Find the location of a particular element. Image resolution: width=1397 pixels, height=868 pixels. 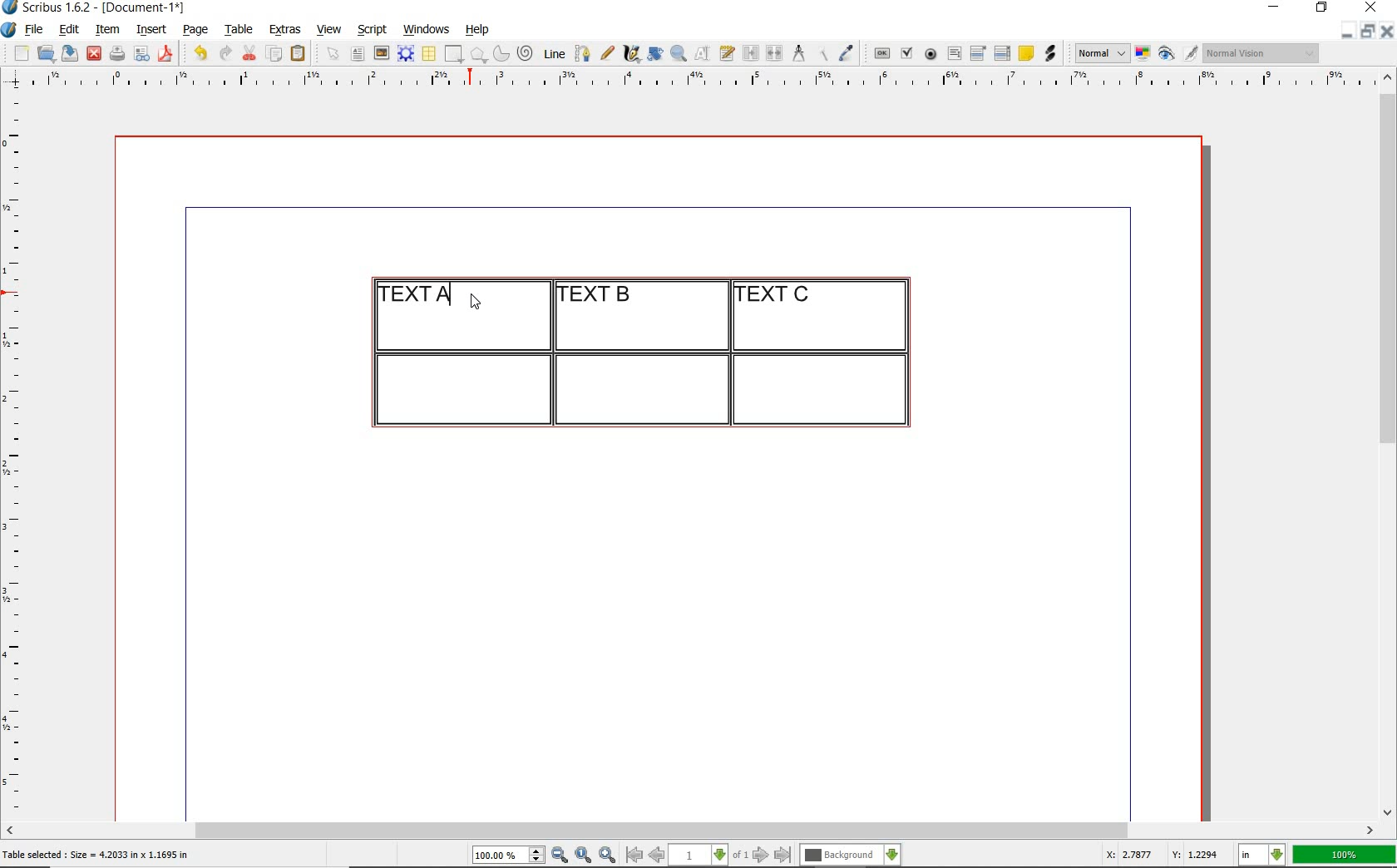

help is located at coordinates (476, 31).